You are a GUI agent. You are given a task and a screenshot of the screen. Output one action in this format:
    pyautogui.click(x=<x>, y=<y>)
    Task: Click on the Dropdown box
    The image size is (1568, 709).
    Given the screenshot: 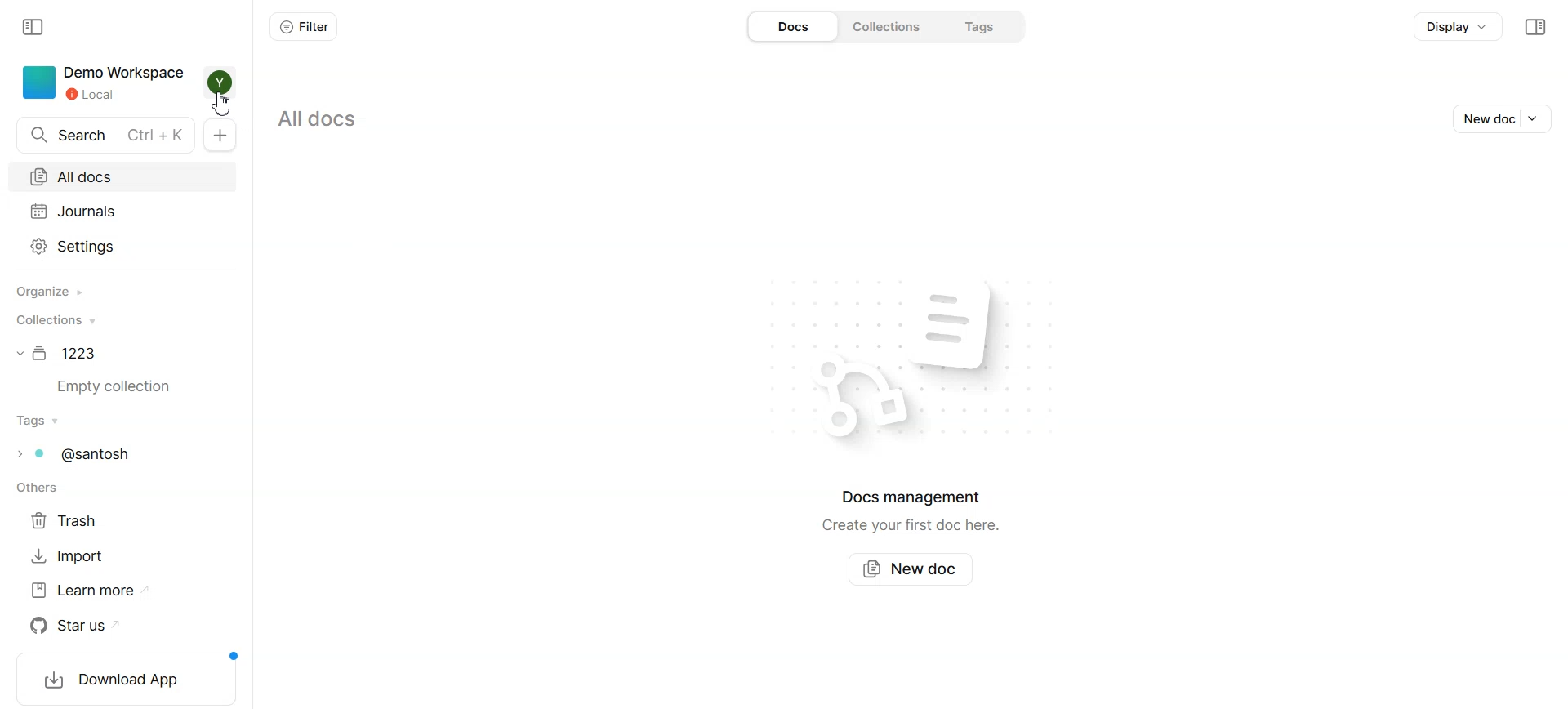 What is the action you would take?
    pyautogui.click(x=1538, y=118)
    